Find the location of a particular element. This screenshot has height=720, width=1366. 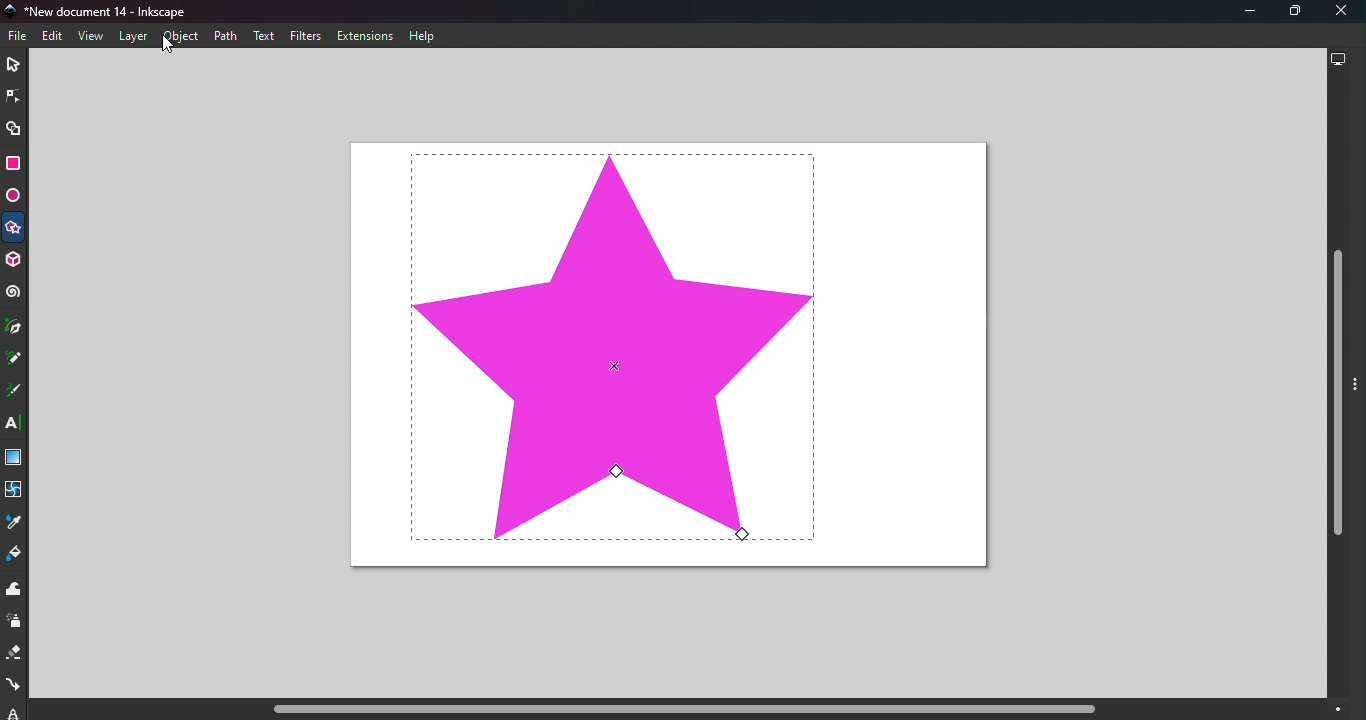

File is located at coordinates (21, 36).